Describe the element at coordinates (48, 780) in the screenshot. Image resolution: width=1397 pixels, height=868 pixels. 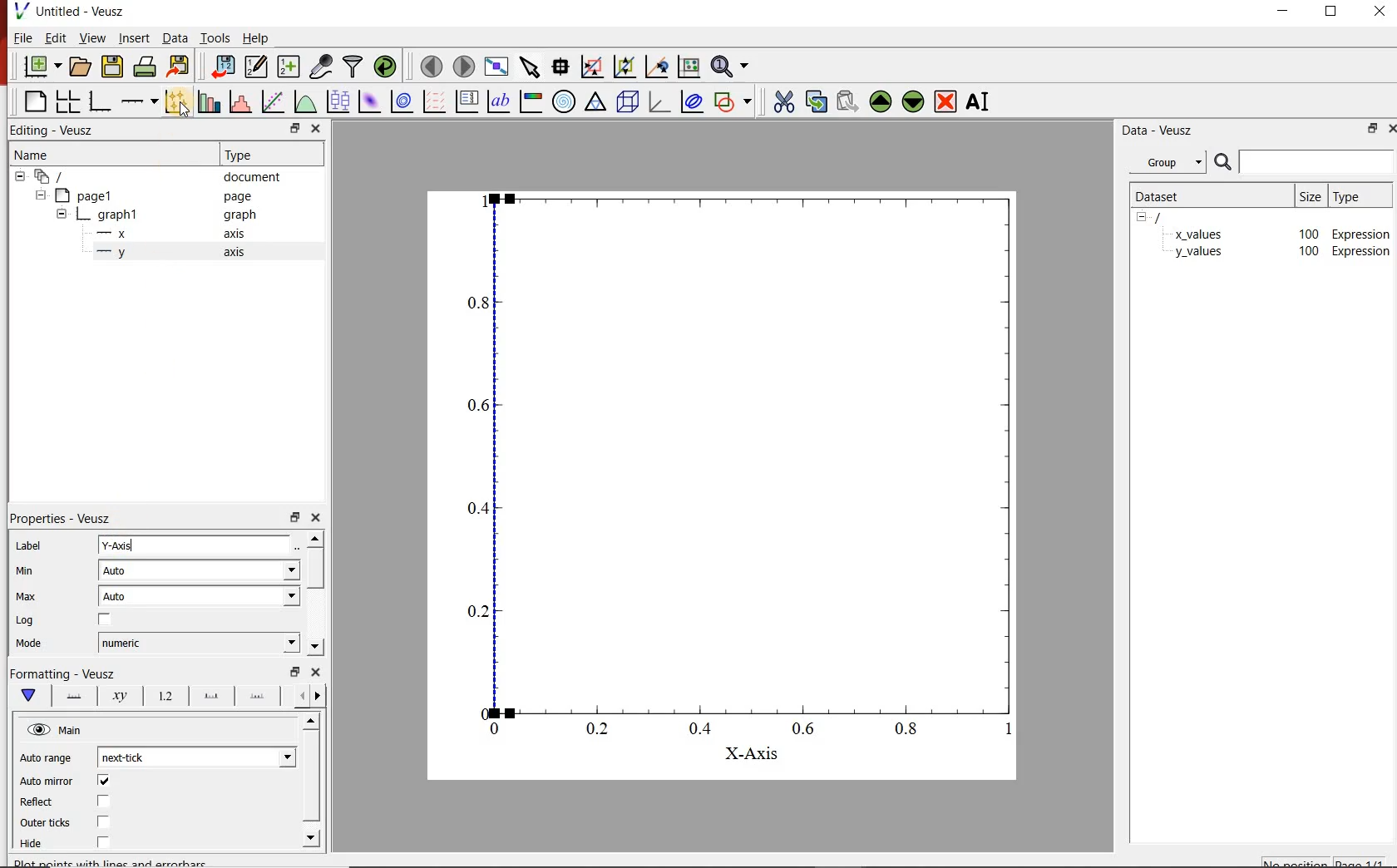
I see `‘Auto mirror` at that location.